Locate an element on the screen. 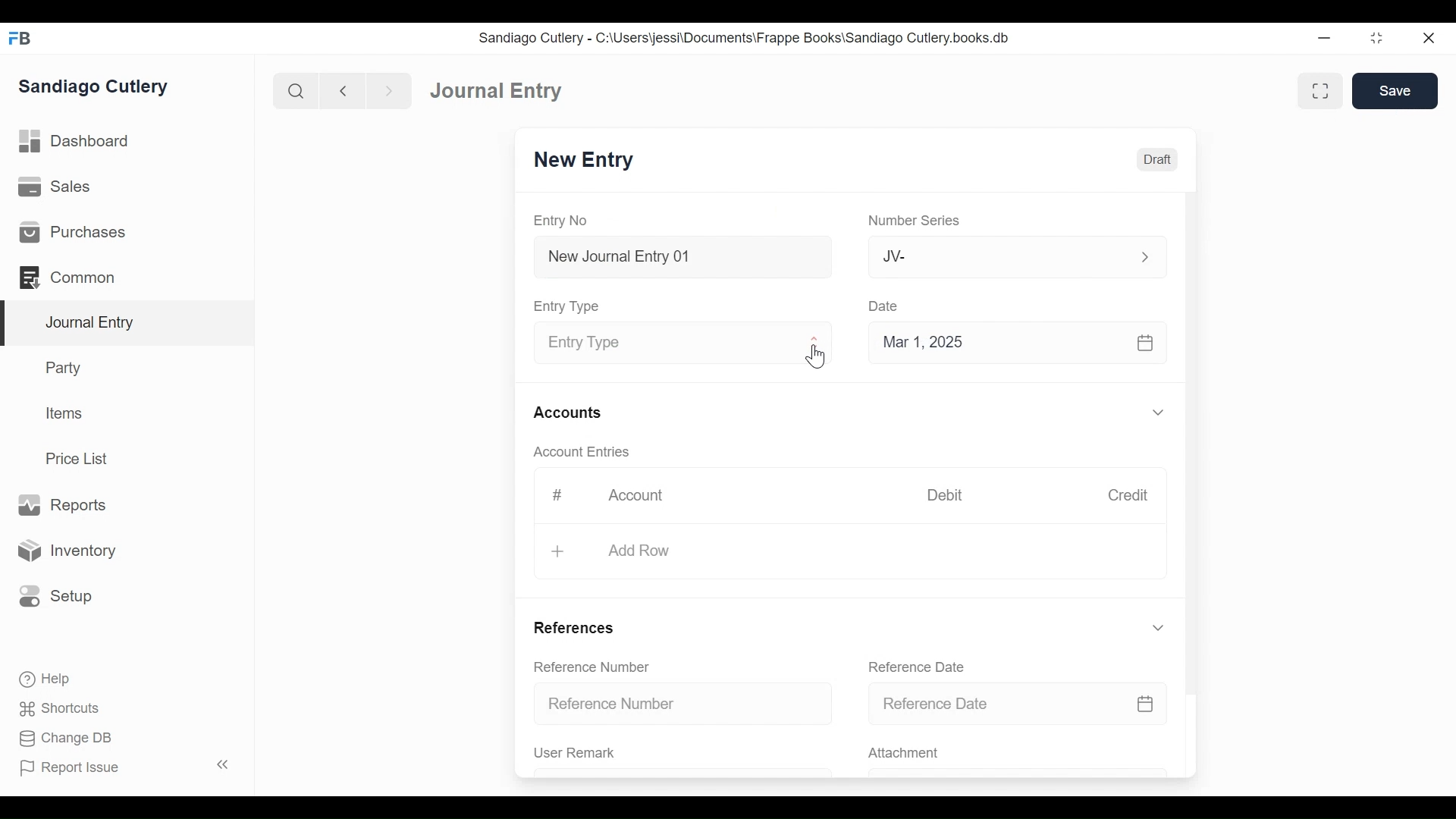  minimize is located at coordinates (1378, 37).